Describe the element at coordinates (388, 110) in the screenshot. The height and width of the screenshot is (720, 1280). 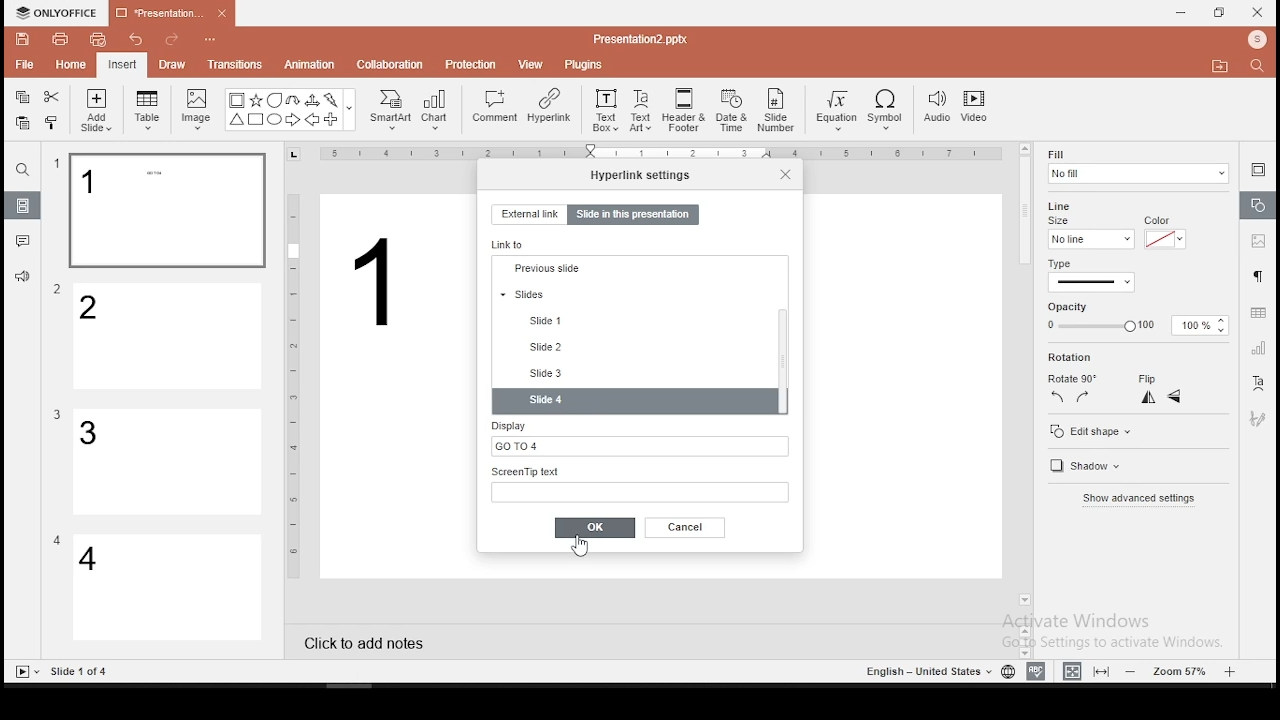
I see `smart` at that location.